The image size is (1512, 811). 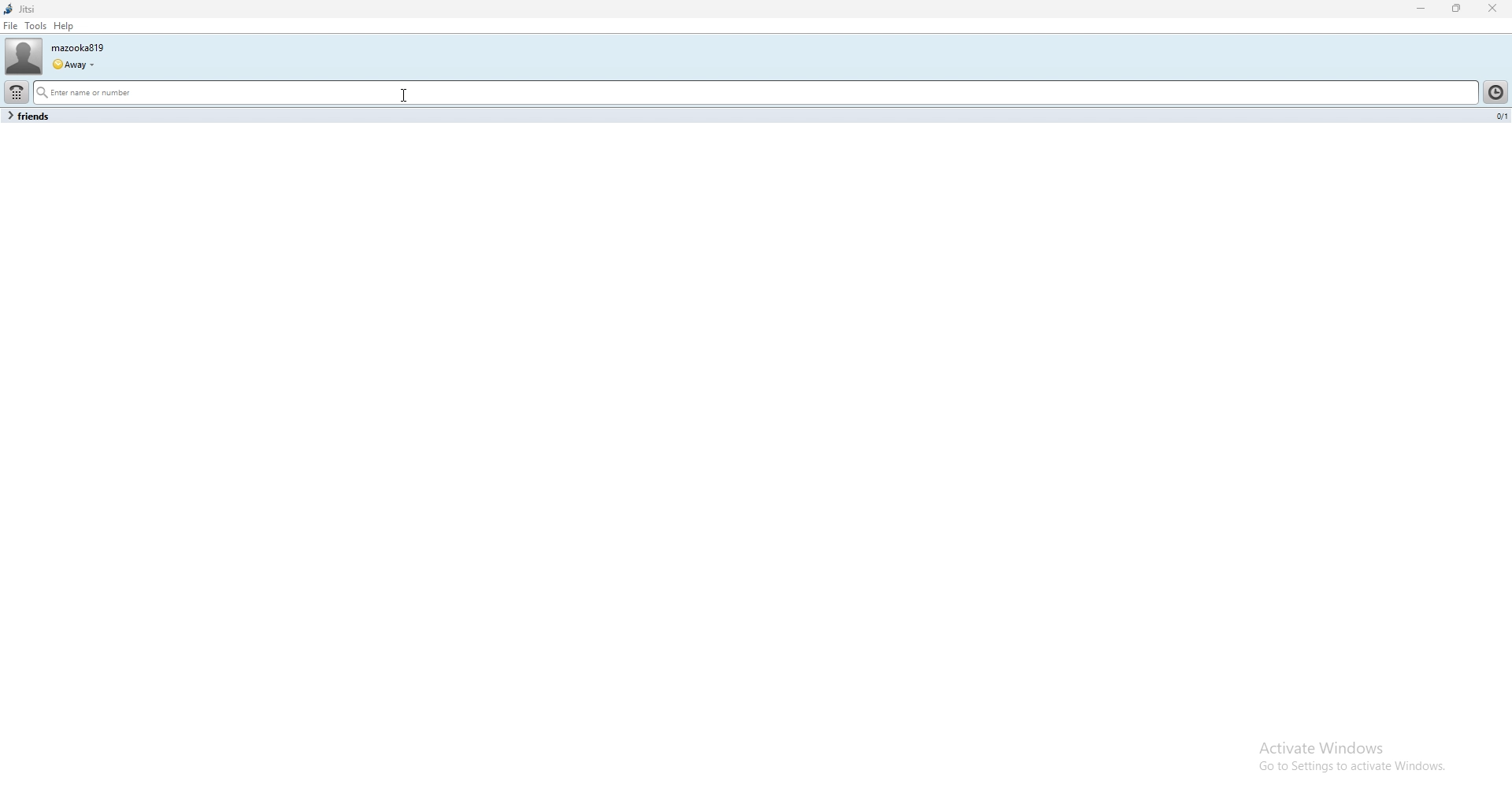 I want to click on dialpad, so click(x=16, y=92).